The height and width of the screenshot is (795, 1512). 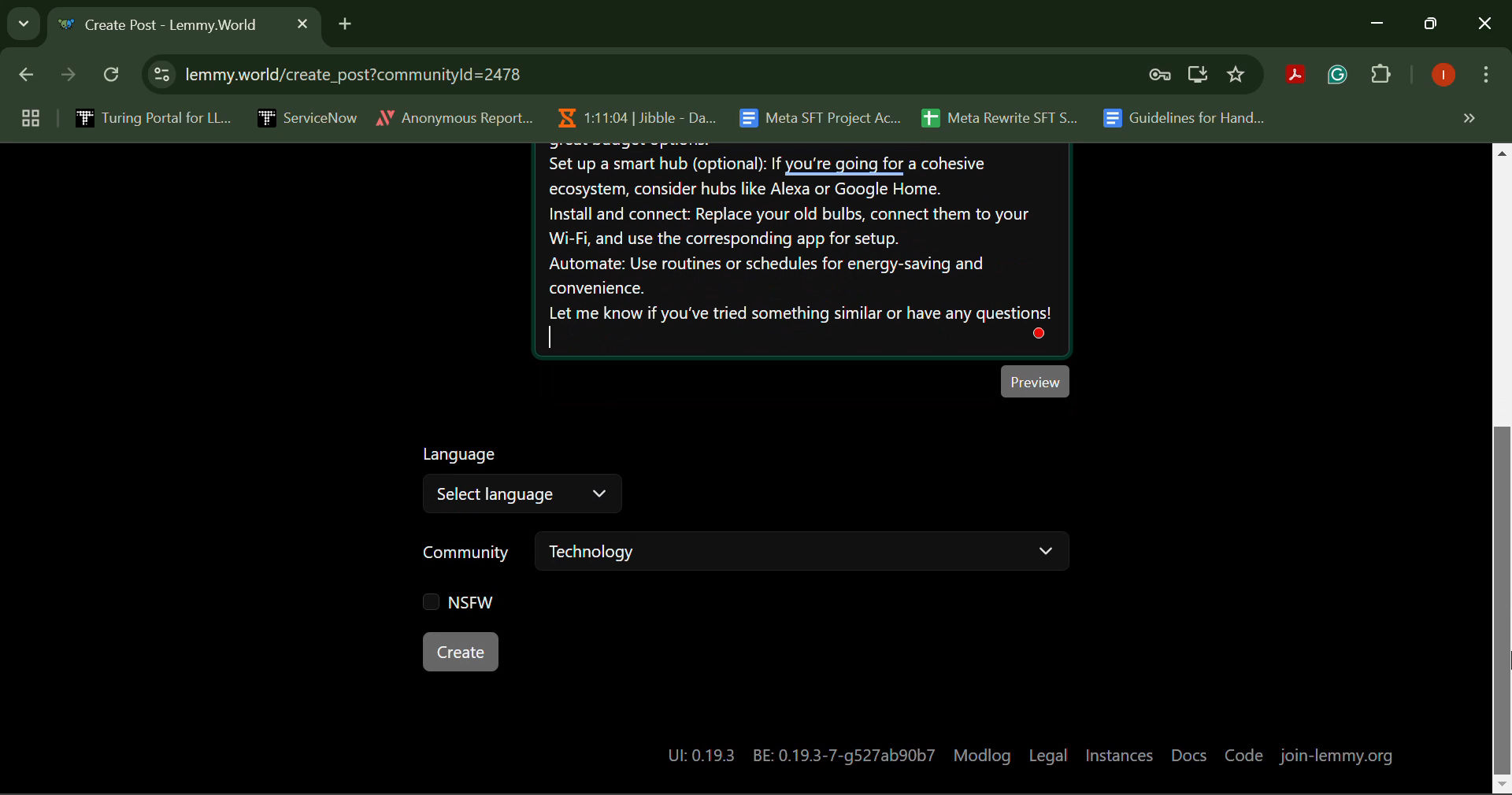 I want to click on Hidden Bookmarks, so click(x=1468, y=117).